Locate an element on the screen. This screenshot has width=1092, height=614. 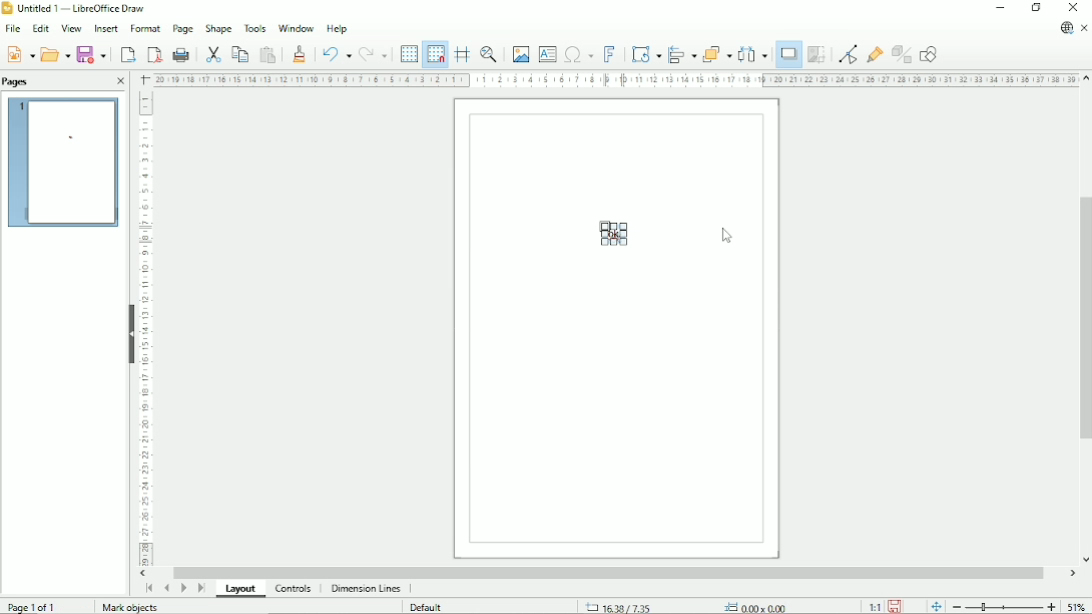
Distribute is located at coordinates (754, 54).